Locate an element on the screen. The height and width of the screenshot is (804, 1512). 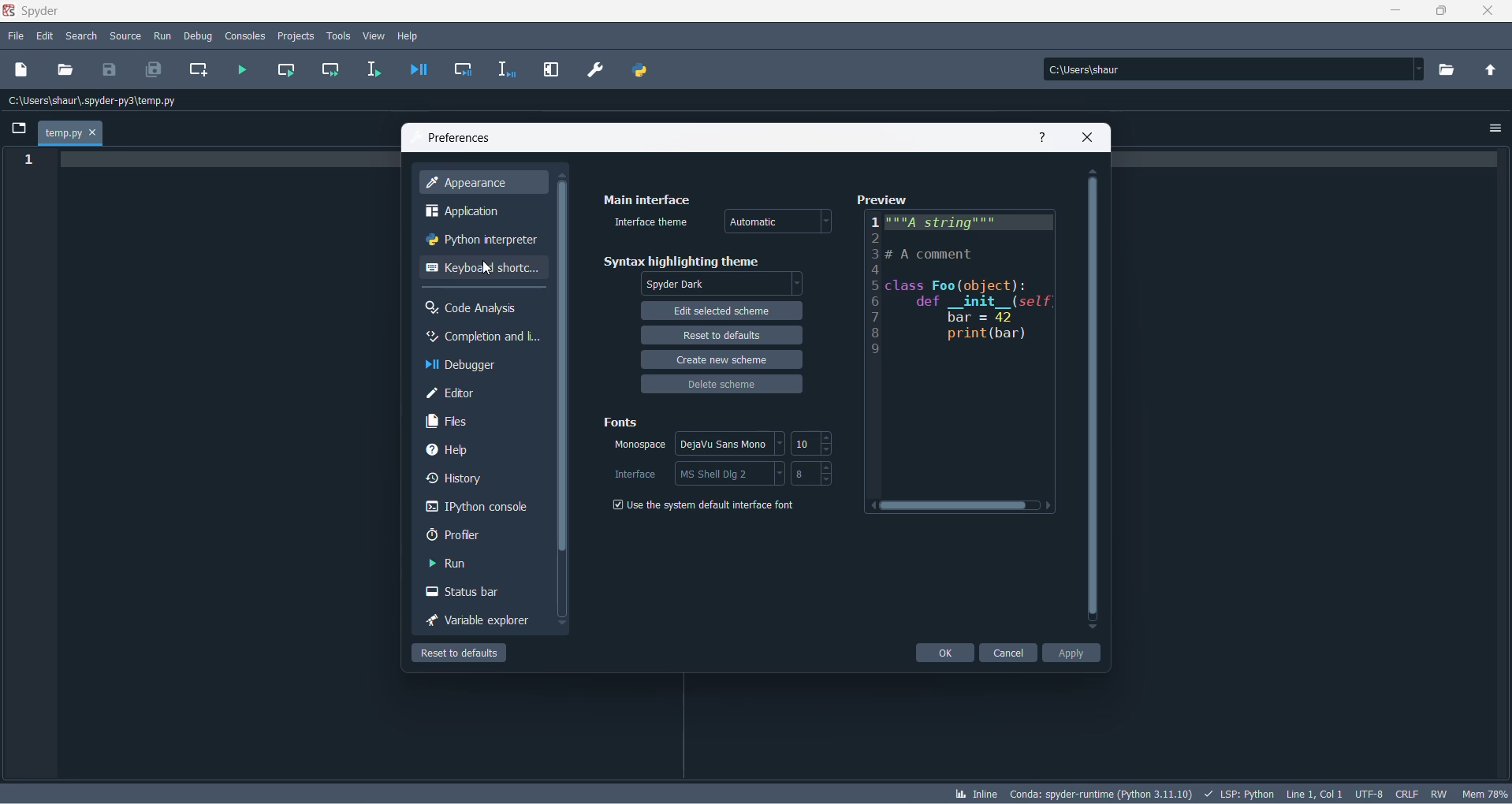
PYTHON PATH MANAGER is located at coordinates (639, 68).